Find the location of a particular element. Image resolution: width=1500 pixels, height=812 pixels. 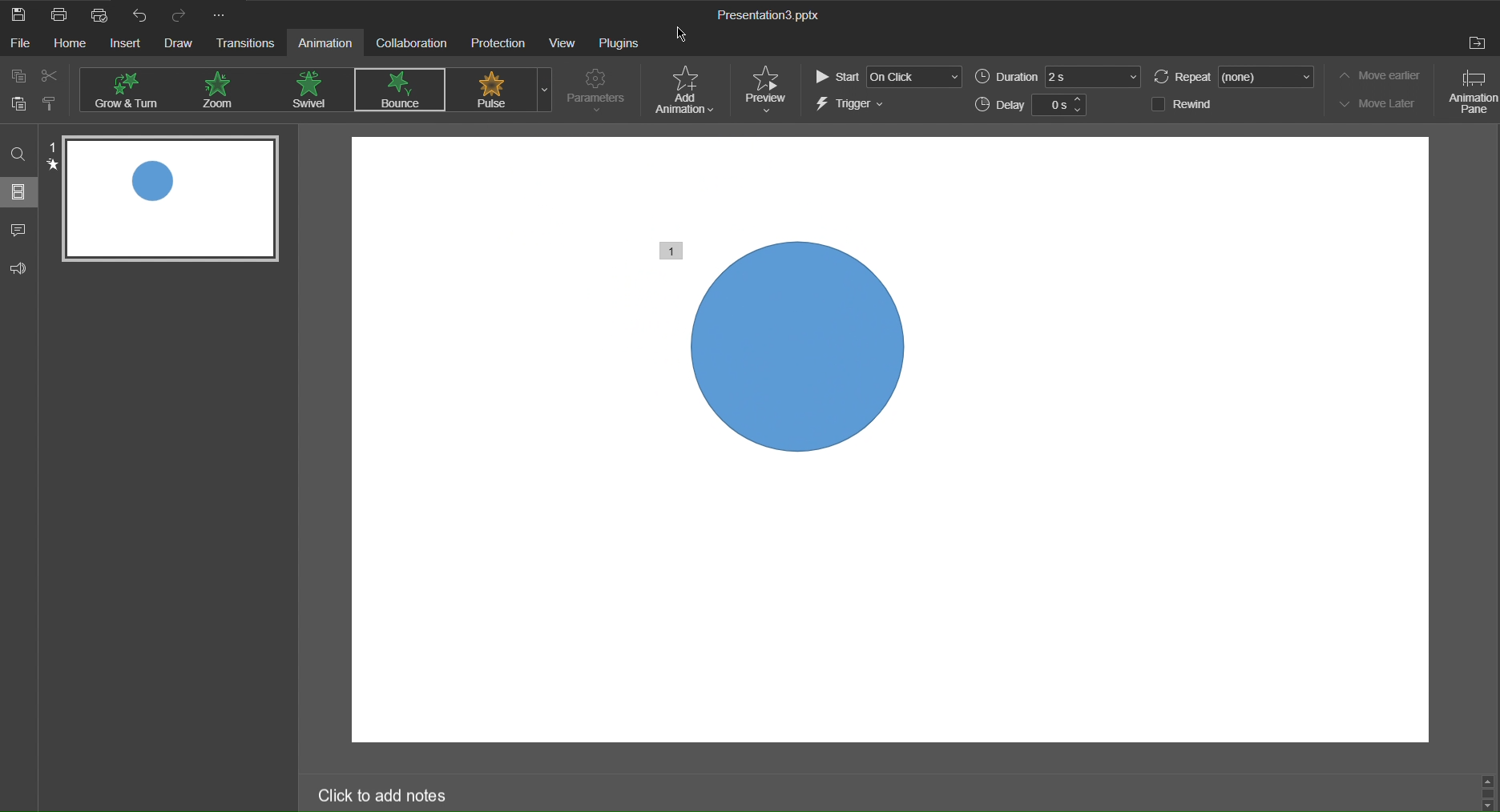

Animations is located at coordinates (135, 89).